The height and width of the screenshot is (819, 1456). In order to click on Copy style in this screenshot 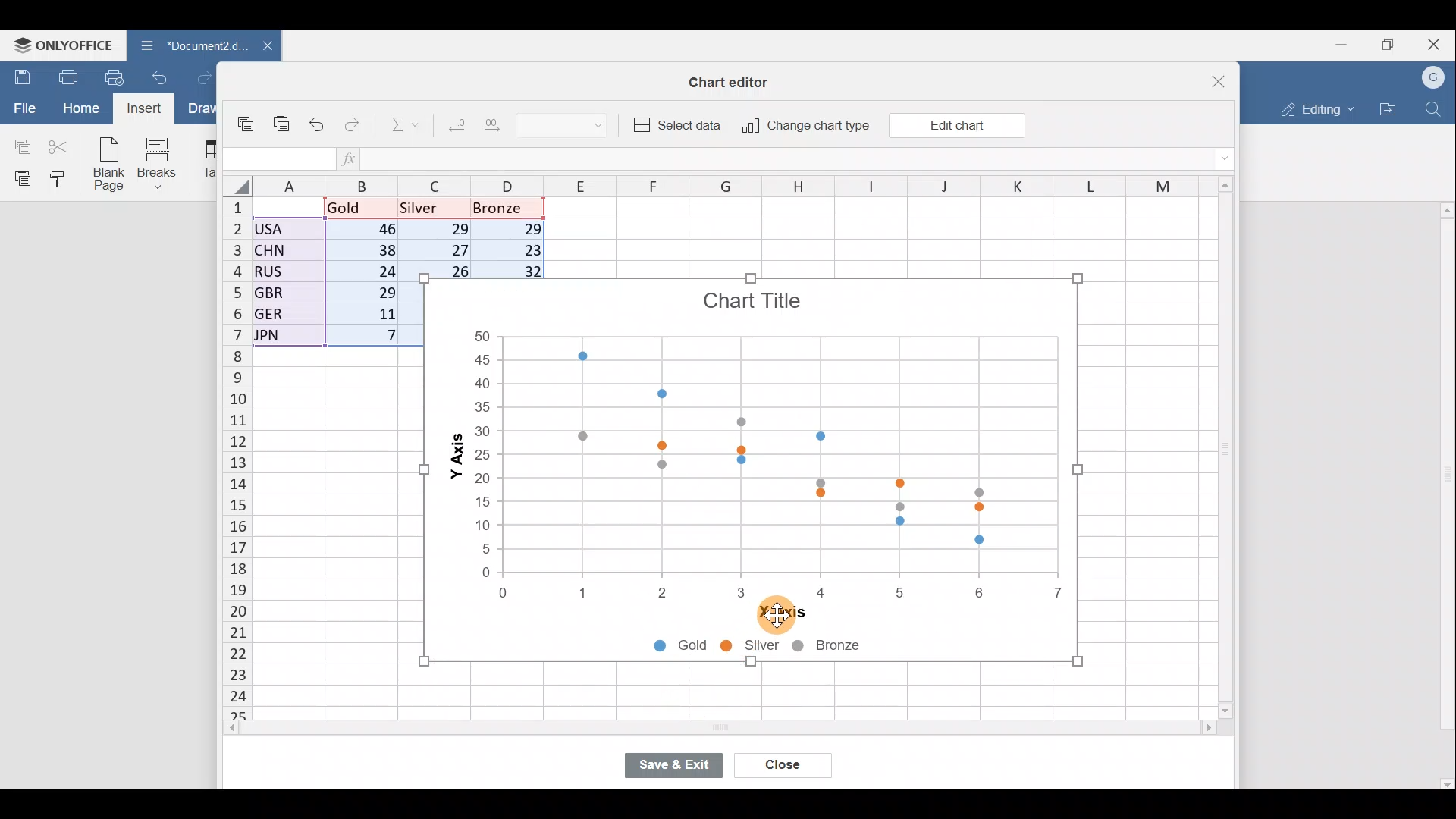, I will do `click(62, 180)`.